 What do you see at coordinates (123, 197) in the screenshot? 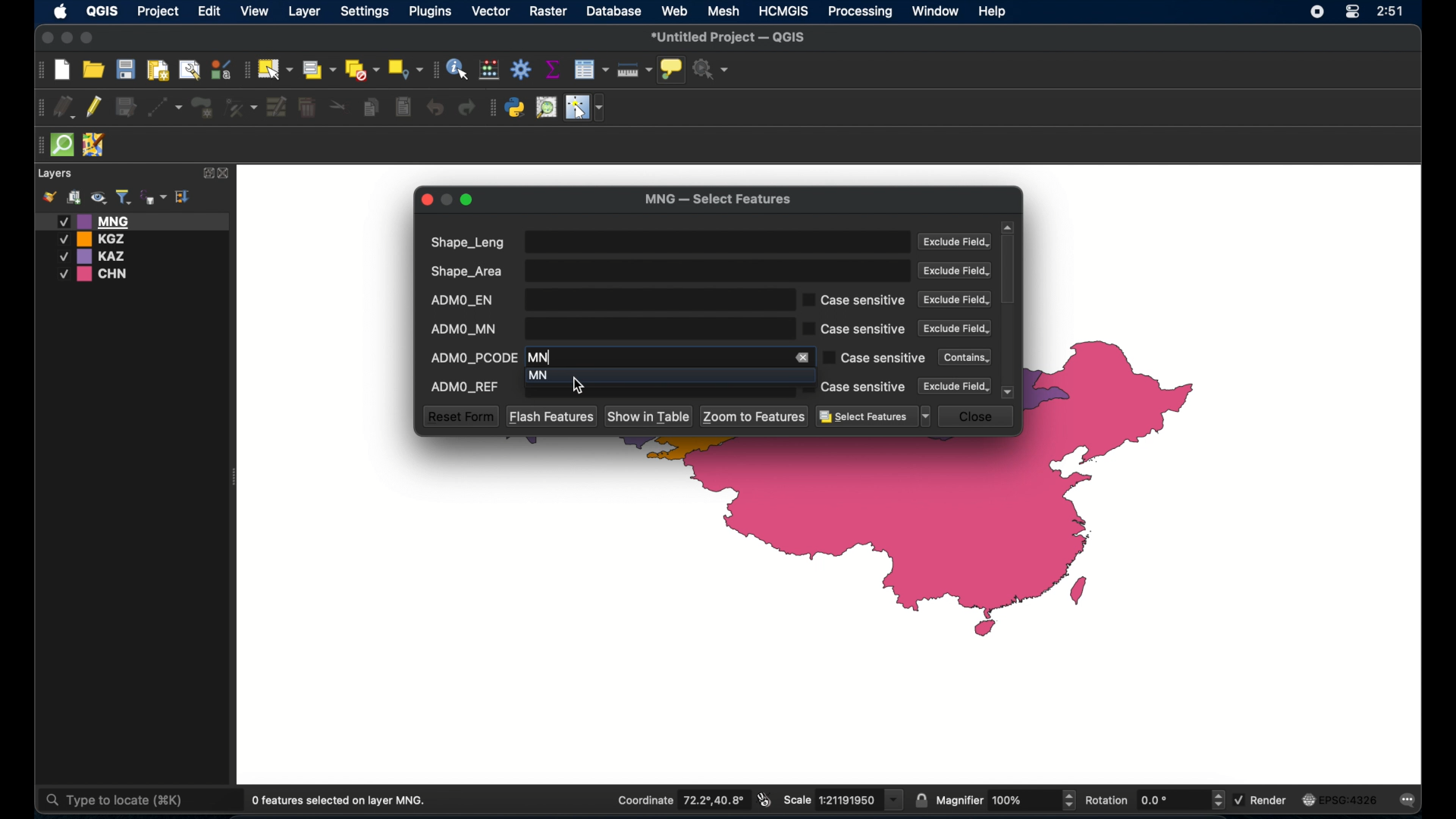
I see `filter legend` at bounding box center [123, 197].